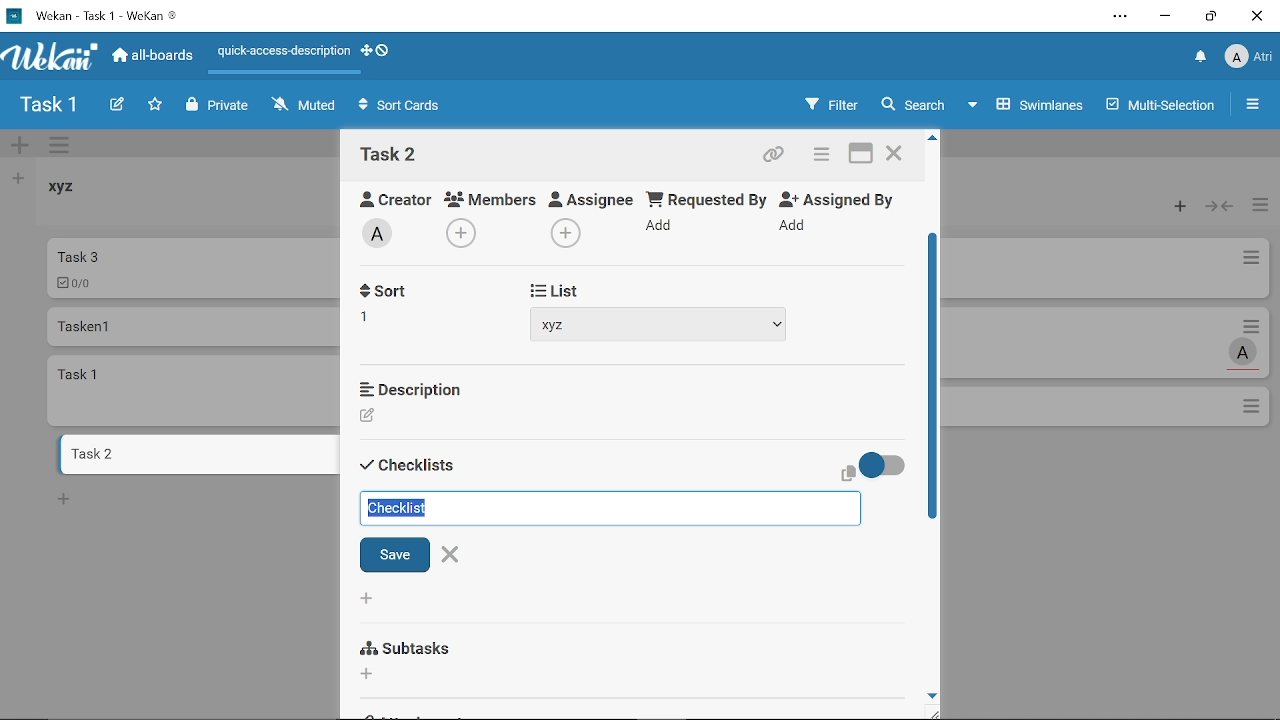  I want to click on Show desktop drag handles, so click(365, 51).